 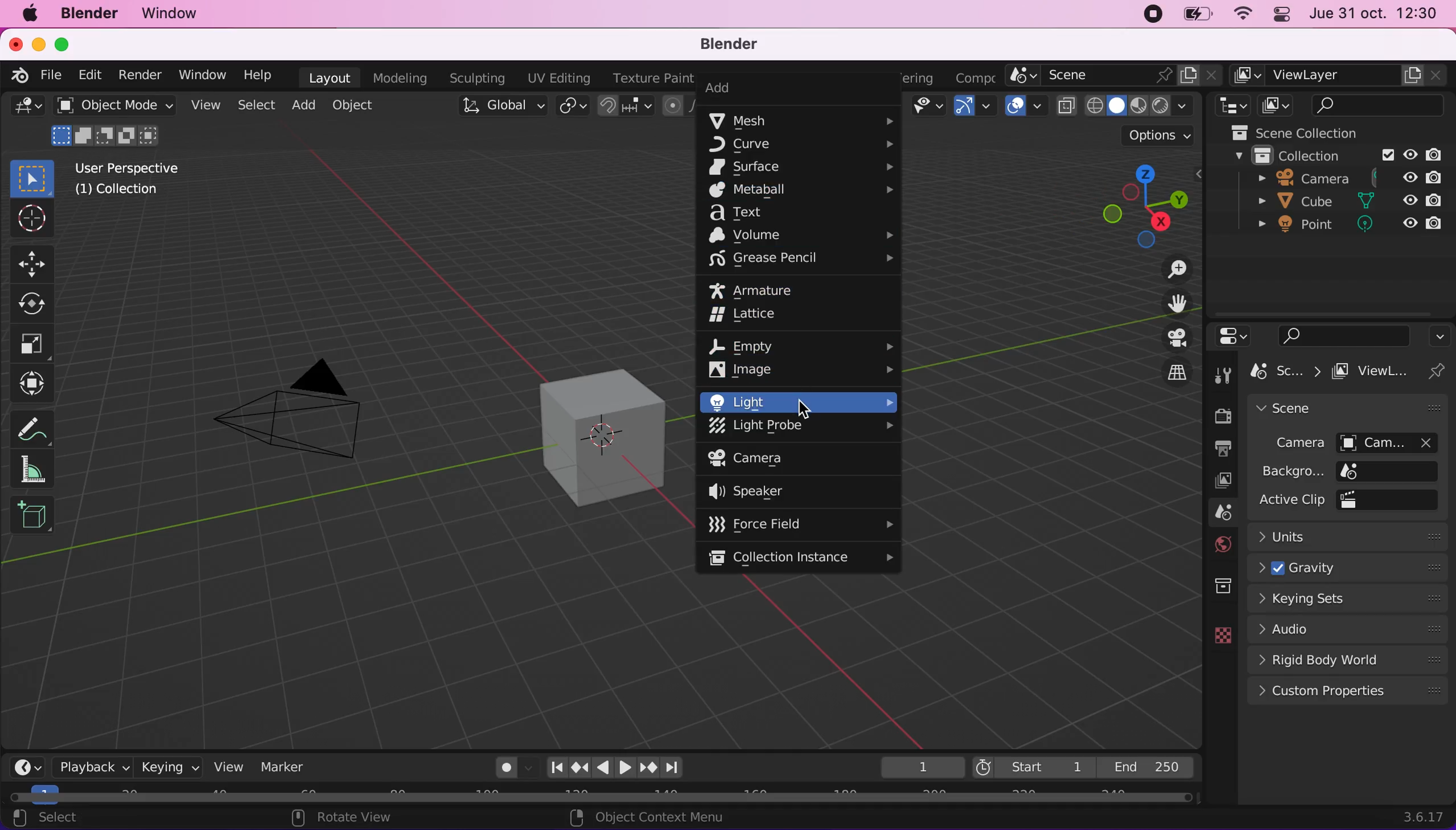 I want to click on layout, so click(x=331, y=77).